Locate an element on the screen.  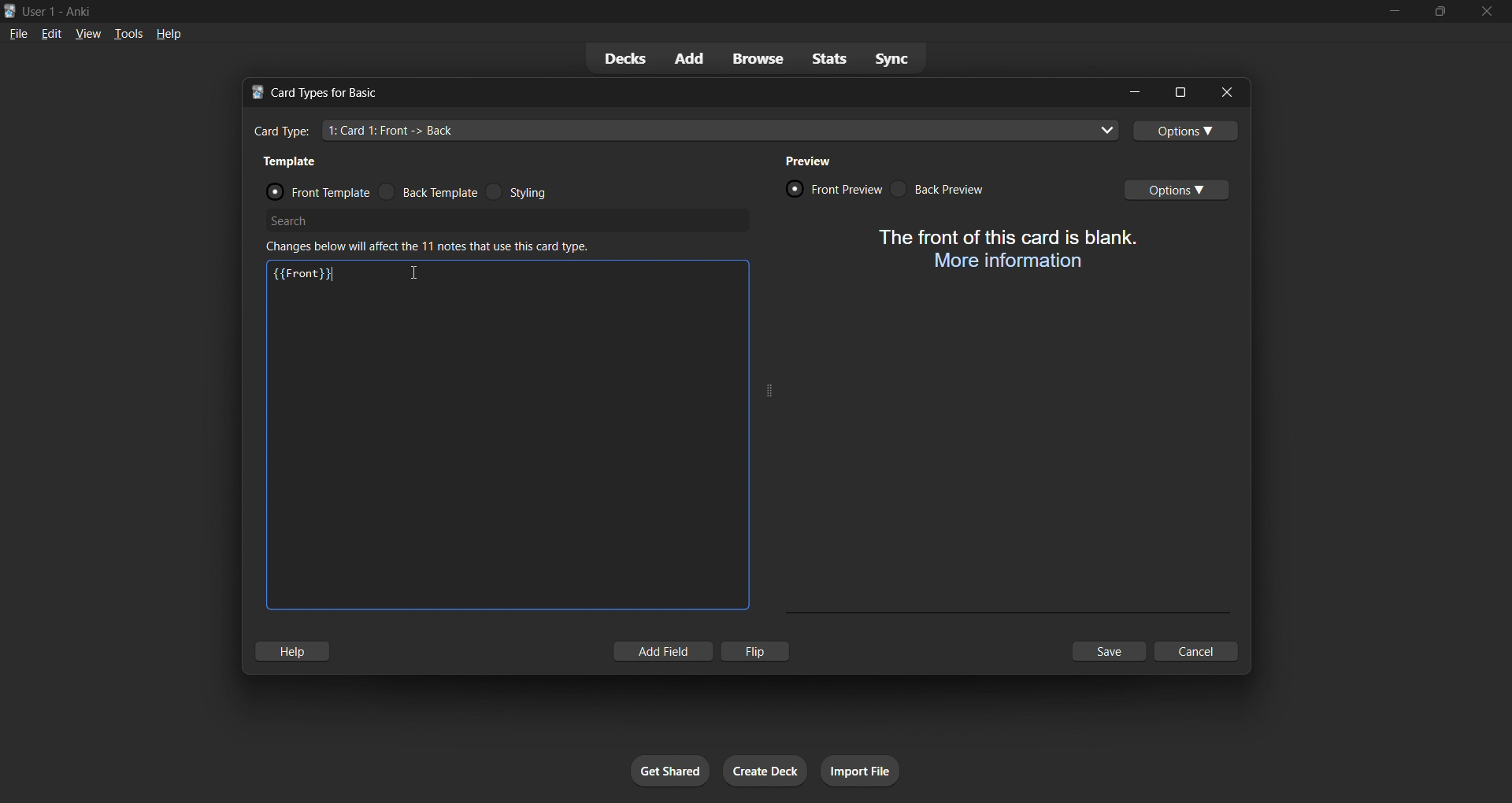
styling is located at coordinates (537, 193).